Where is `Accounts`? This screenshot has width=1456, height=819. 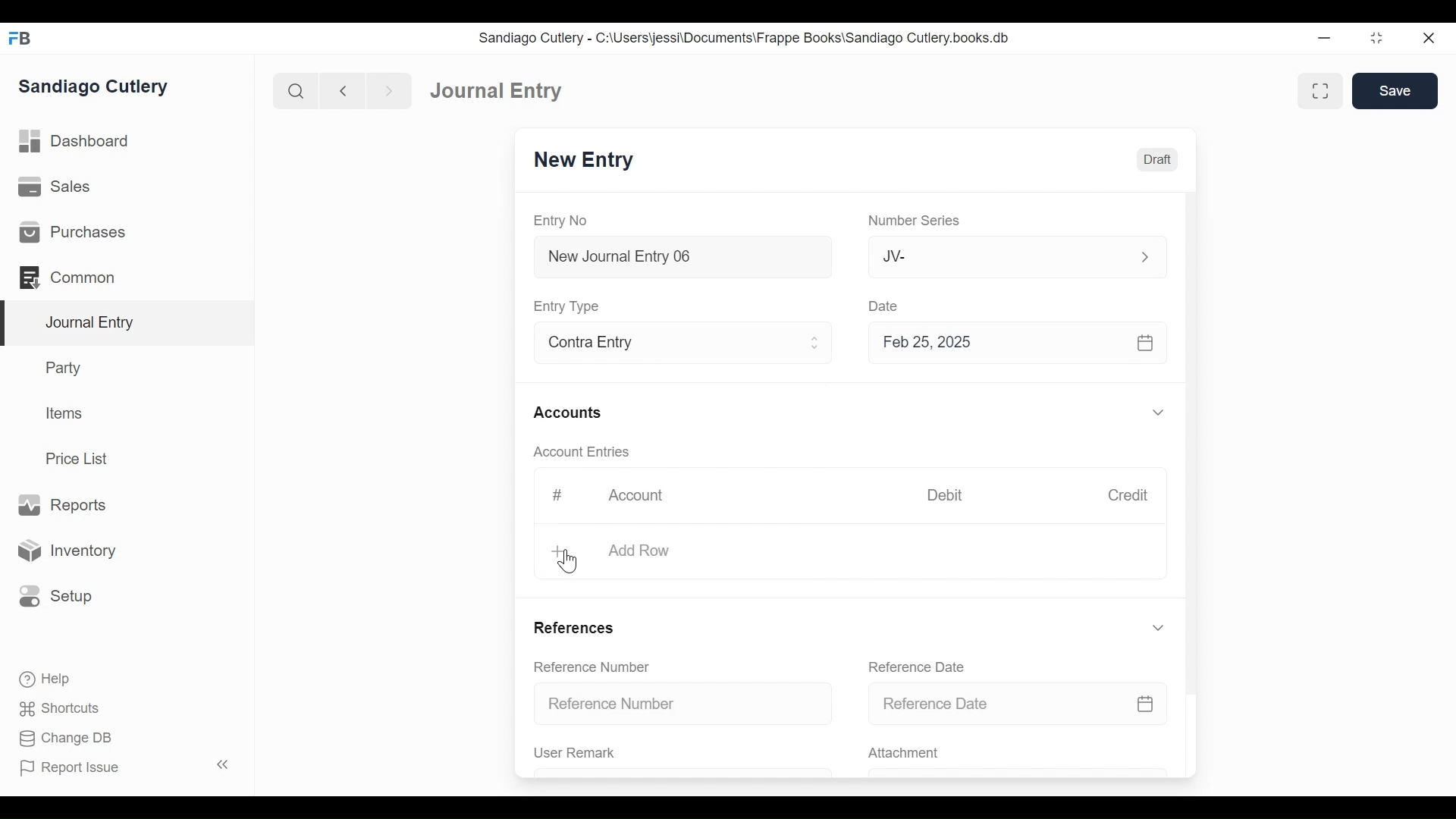
Accounts is located at coordinates (572, 414).